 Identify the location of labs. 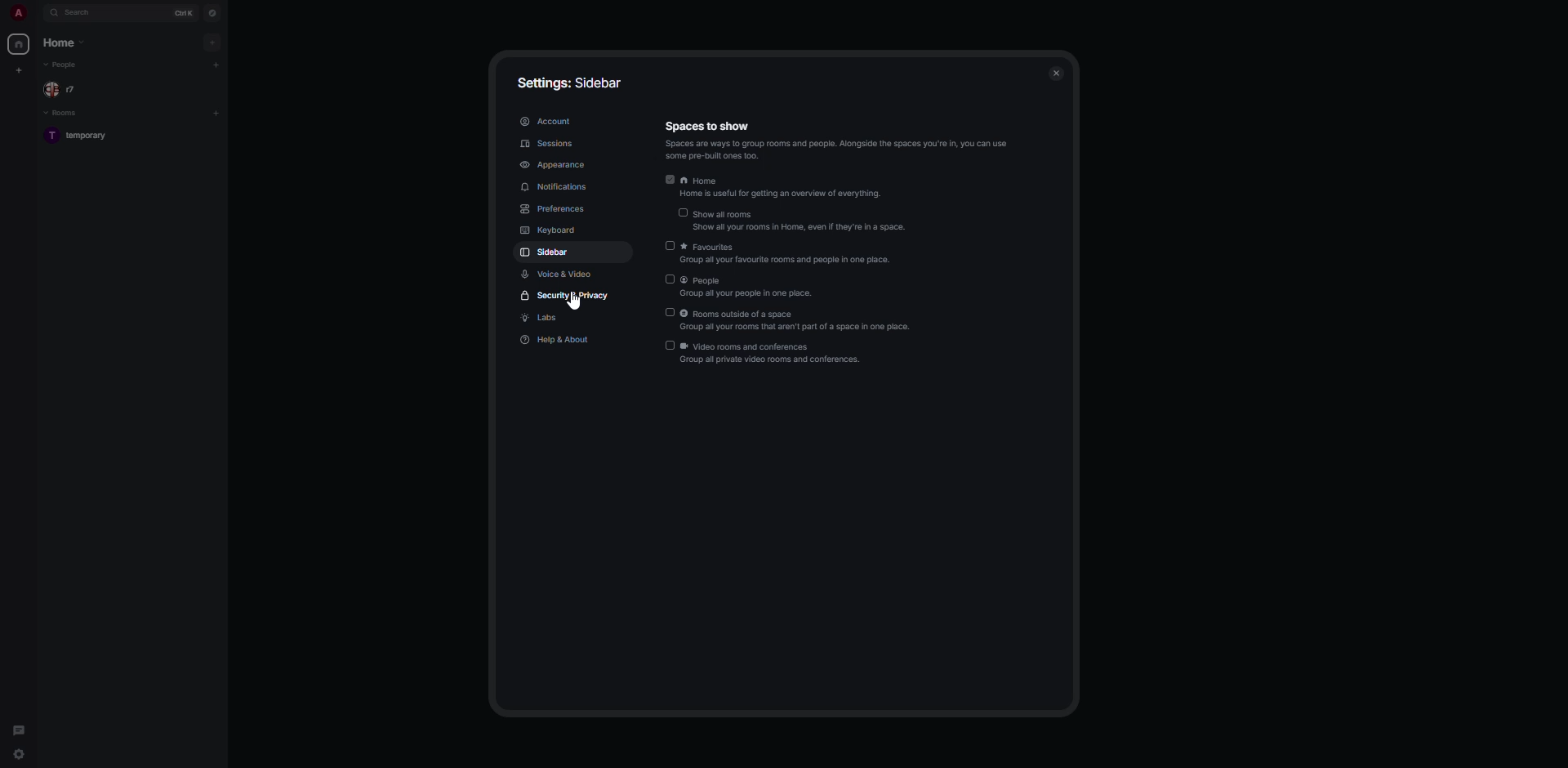
(547, 319).